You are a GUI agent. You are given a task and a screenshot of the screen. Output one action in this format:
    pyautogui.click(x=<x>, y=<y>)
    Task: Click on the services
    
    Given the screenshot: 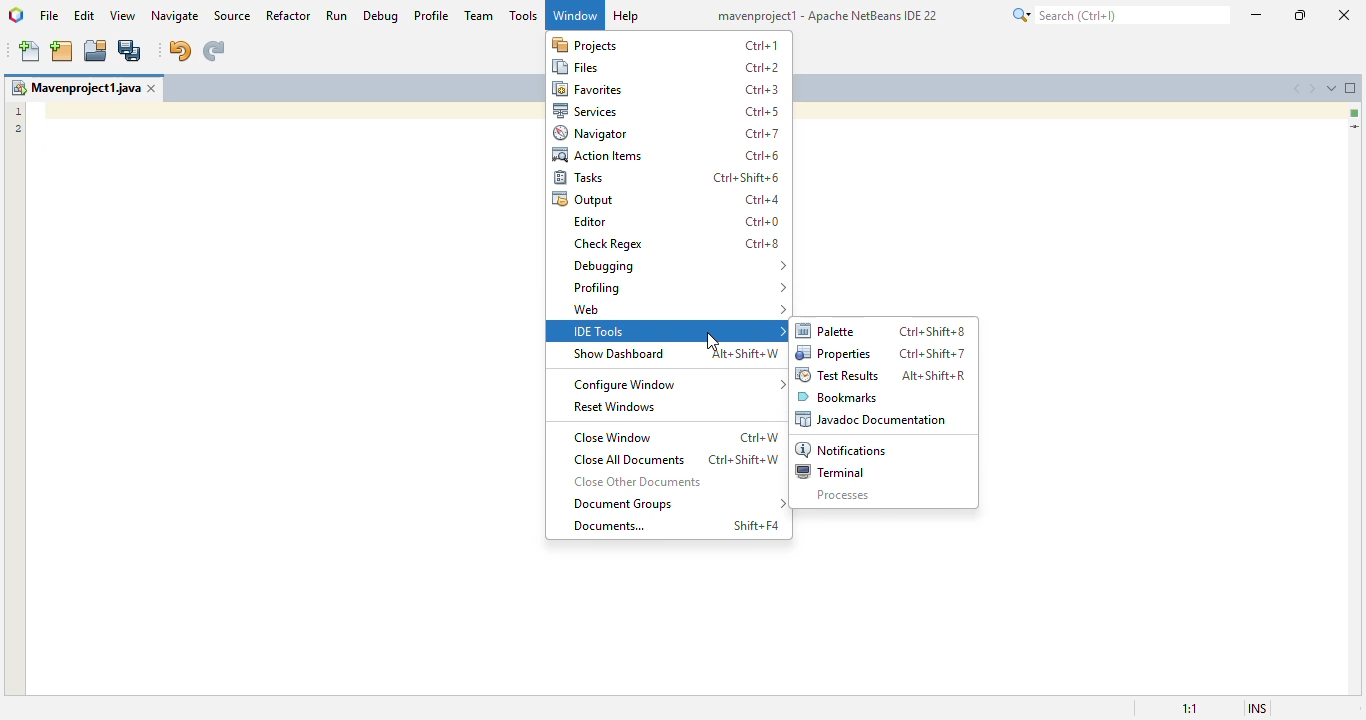 What is the action you would take?
    pyautogui.click(x=587, y=111)
    